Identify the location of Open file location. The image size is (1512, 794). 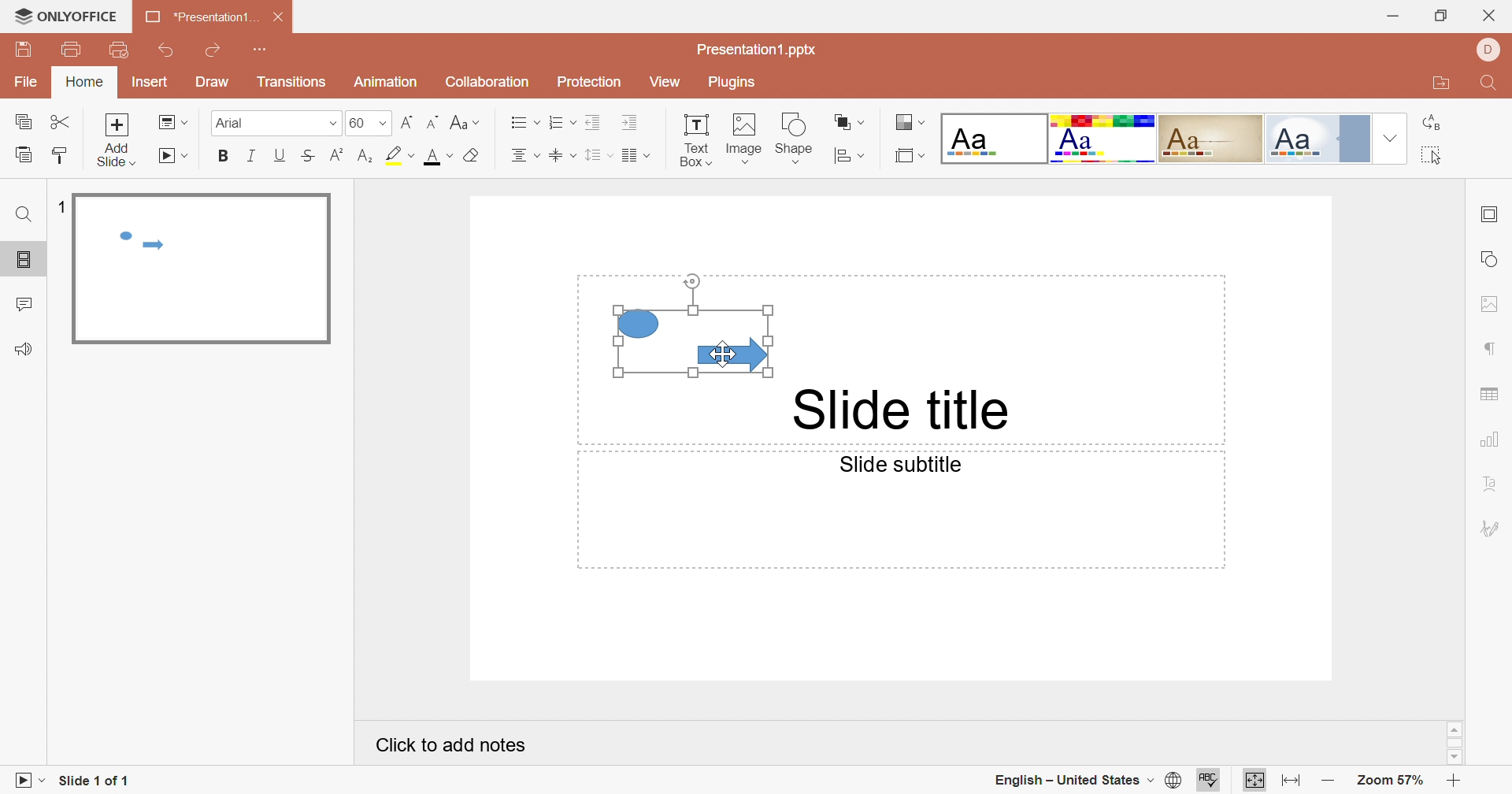
(1437, 84).